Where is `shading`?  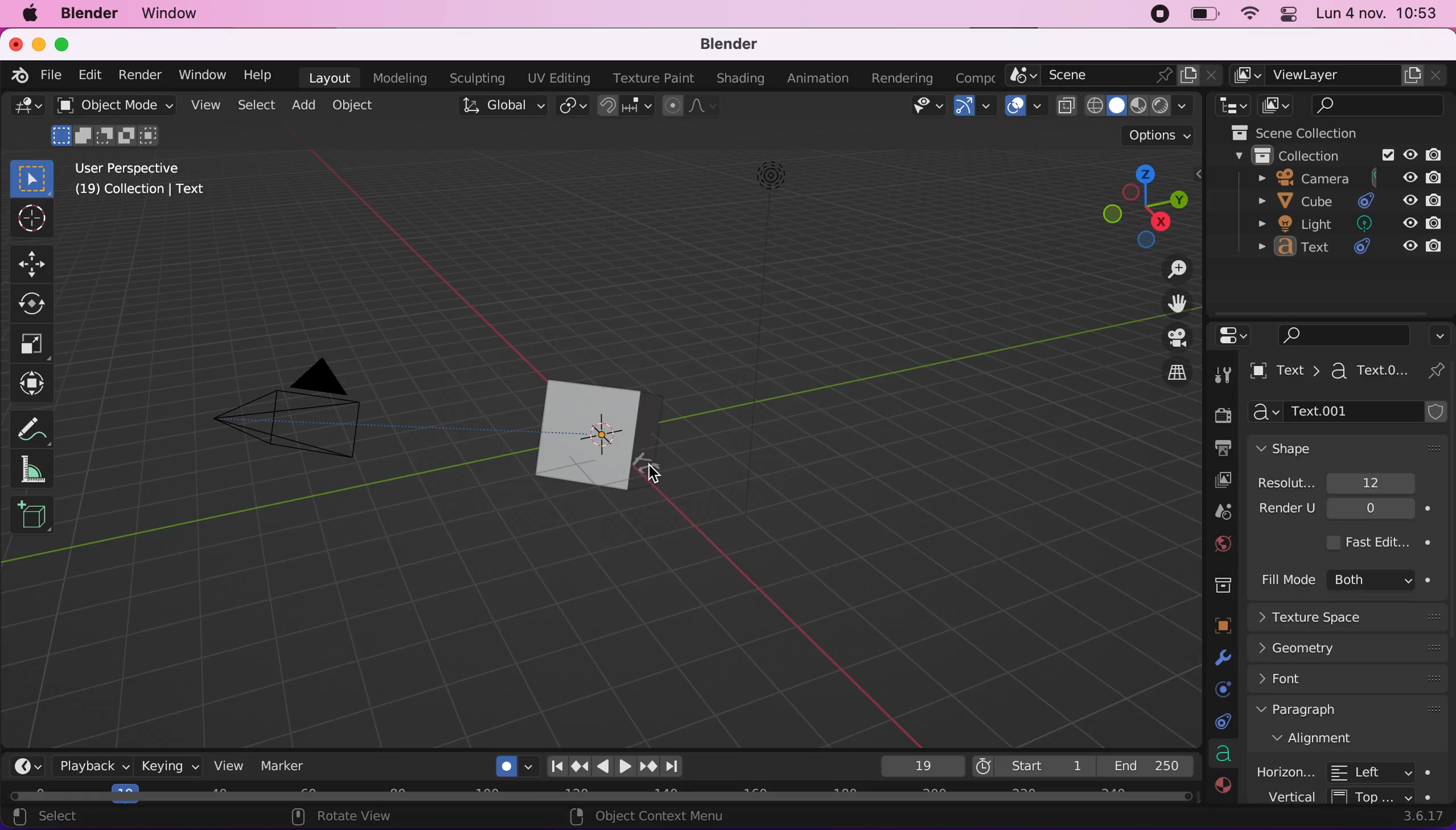
shading is located at coordinates (1136, 107).